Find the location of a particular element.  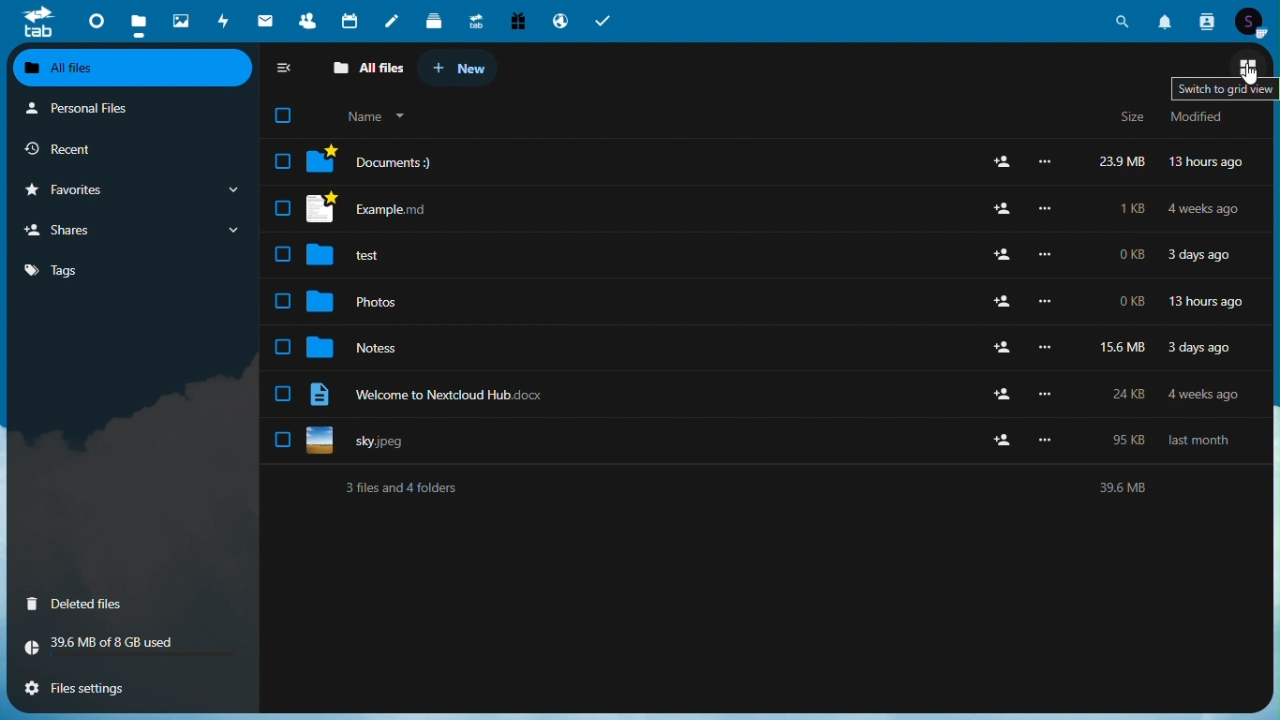

checkbox is located at coordinates (280, 440).